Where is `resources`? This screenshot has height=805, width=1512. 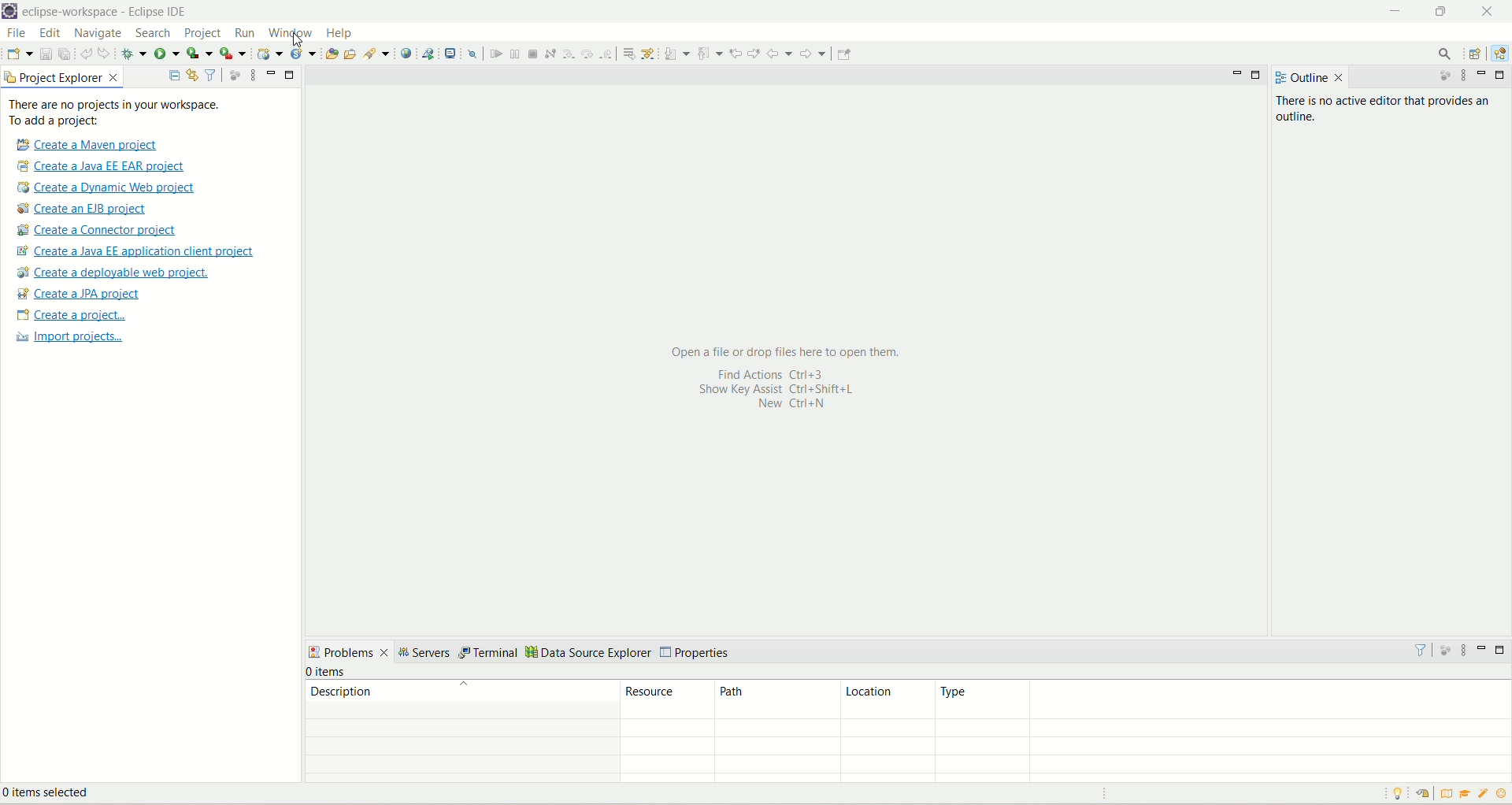
resources is located at coordinates (668, 699).